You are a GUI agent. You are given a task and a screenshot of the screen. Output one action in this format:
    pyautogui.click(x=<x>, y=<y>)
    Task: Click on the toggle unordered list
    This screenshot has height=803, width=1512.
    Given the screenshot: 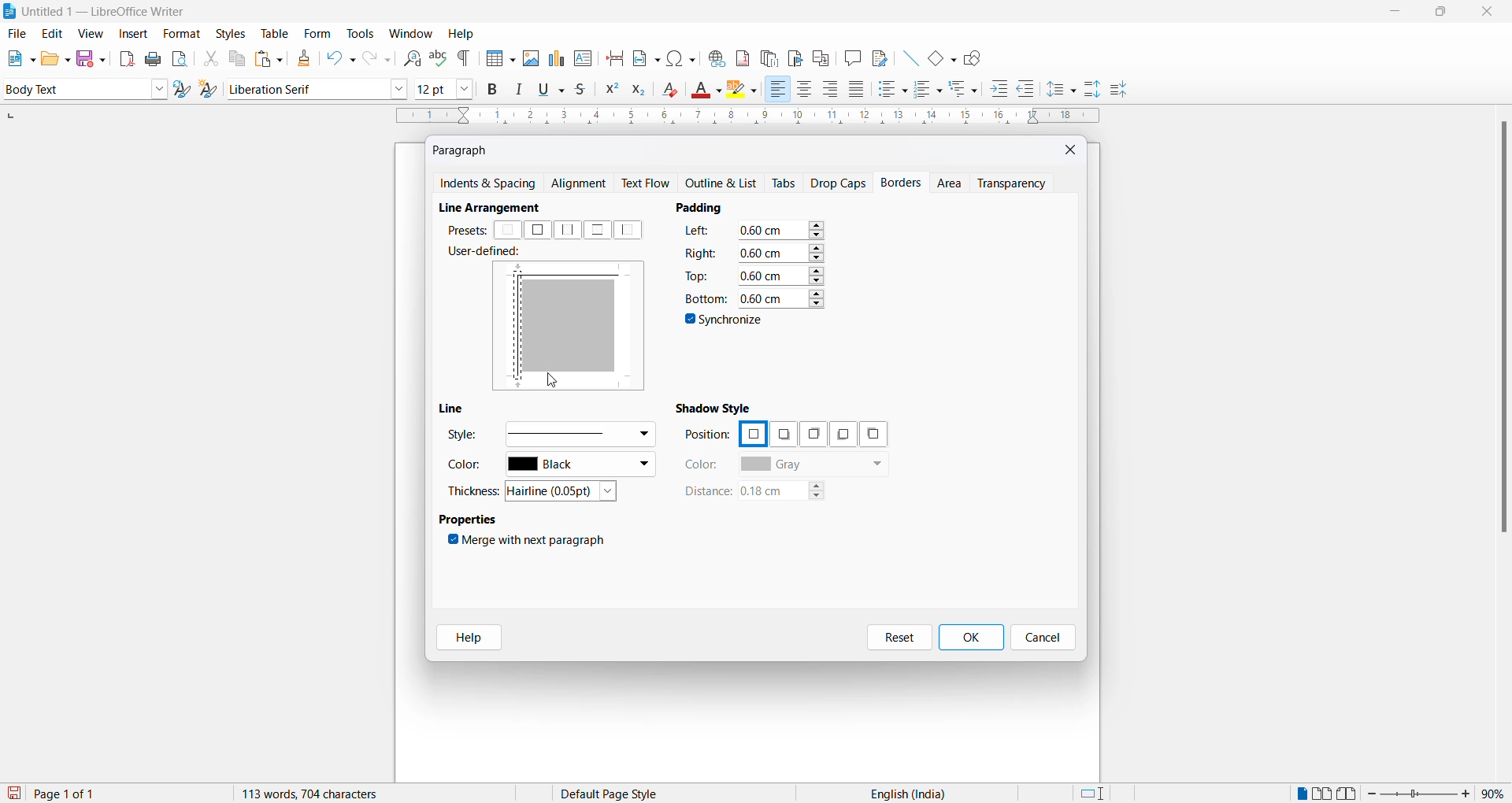 What is the action you would take?
    pyautogui.click(x=892, y=89)
    